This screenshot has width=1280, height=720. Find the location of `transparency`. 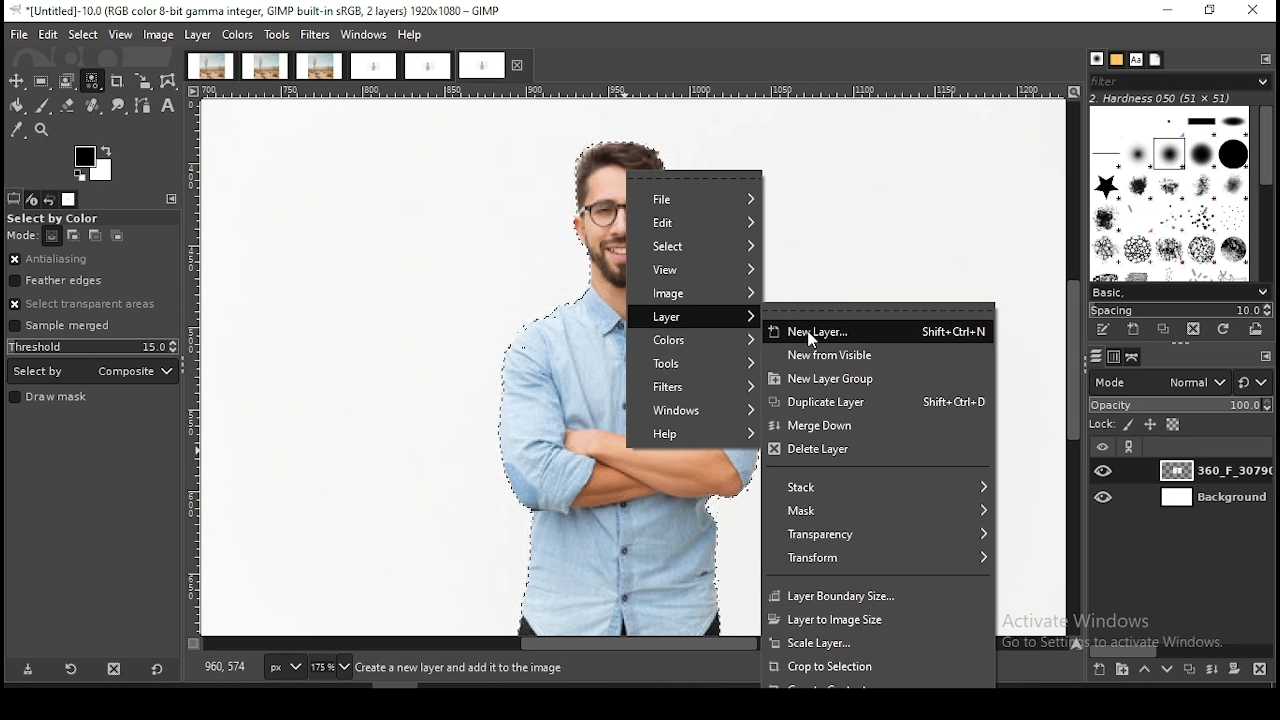

transparency is located at coordinates (880, 537).